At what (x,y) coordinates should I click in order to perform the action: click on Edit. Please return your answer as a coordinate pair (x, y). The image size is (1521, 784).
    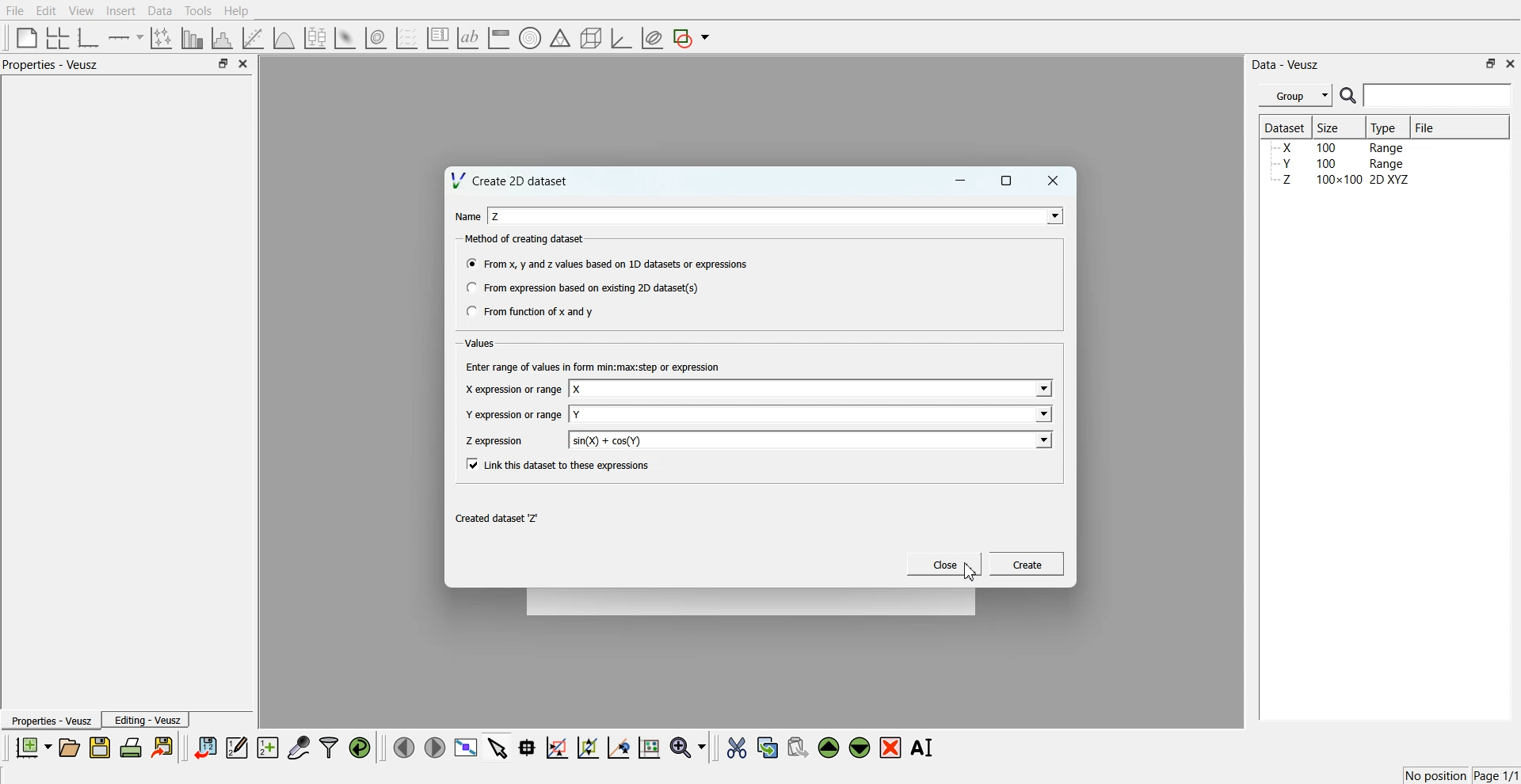
    Looking at the image, I should click on (45, 11).